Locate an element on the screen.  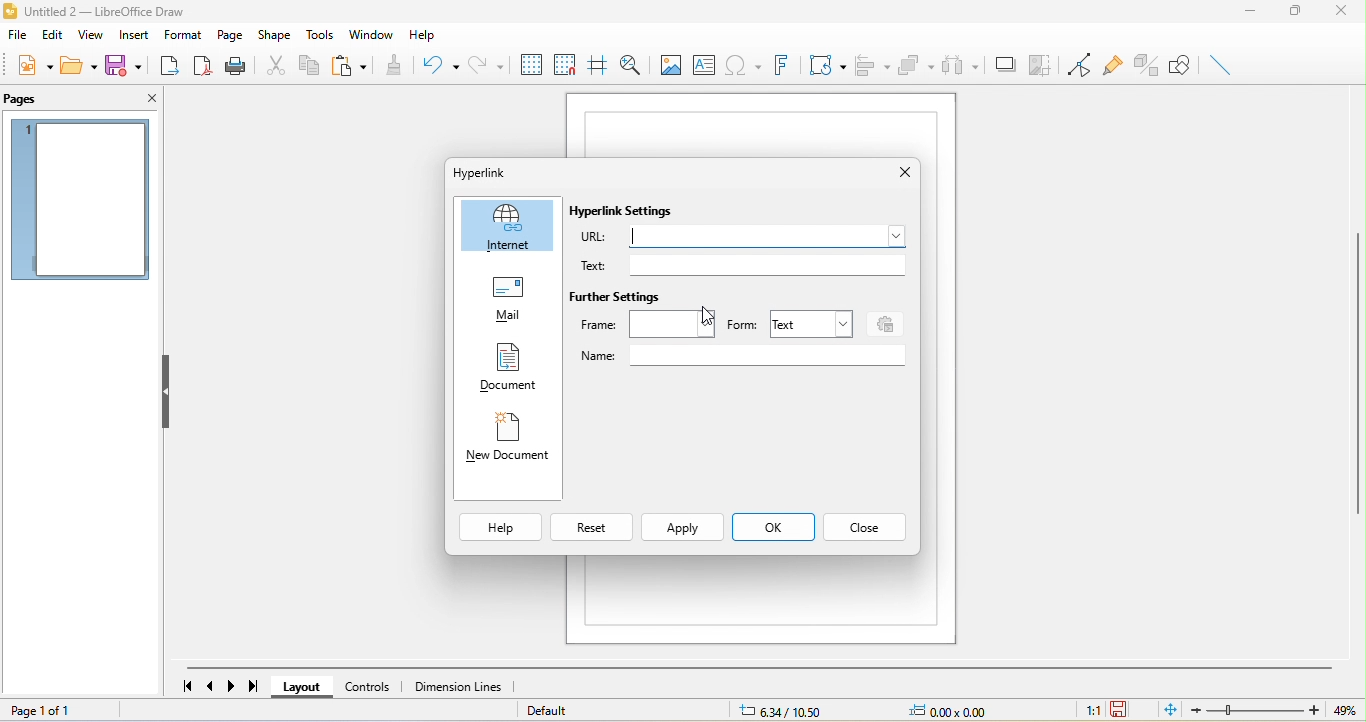
hyperlink settings is located at coordinates (634, 214).